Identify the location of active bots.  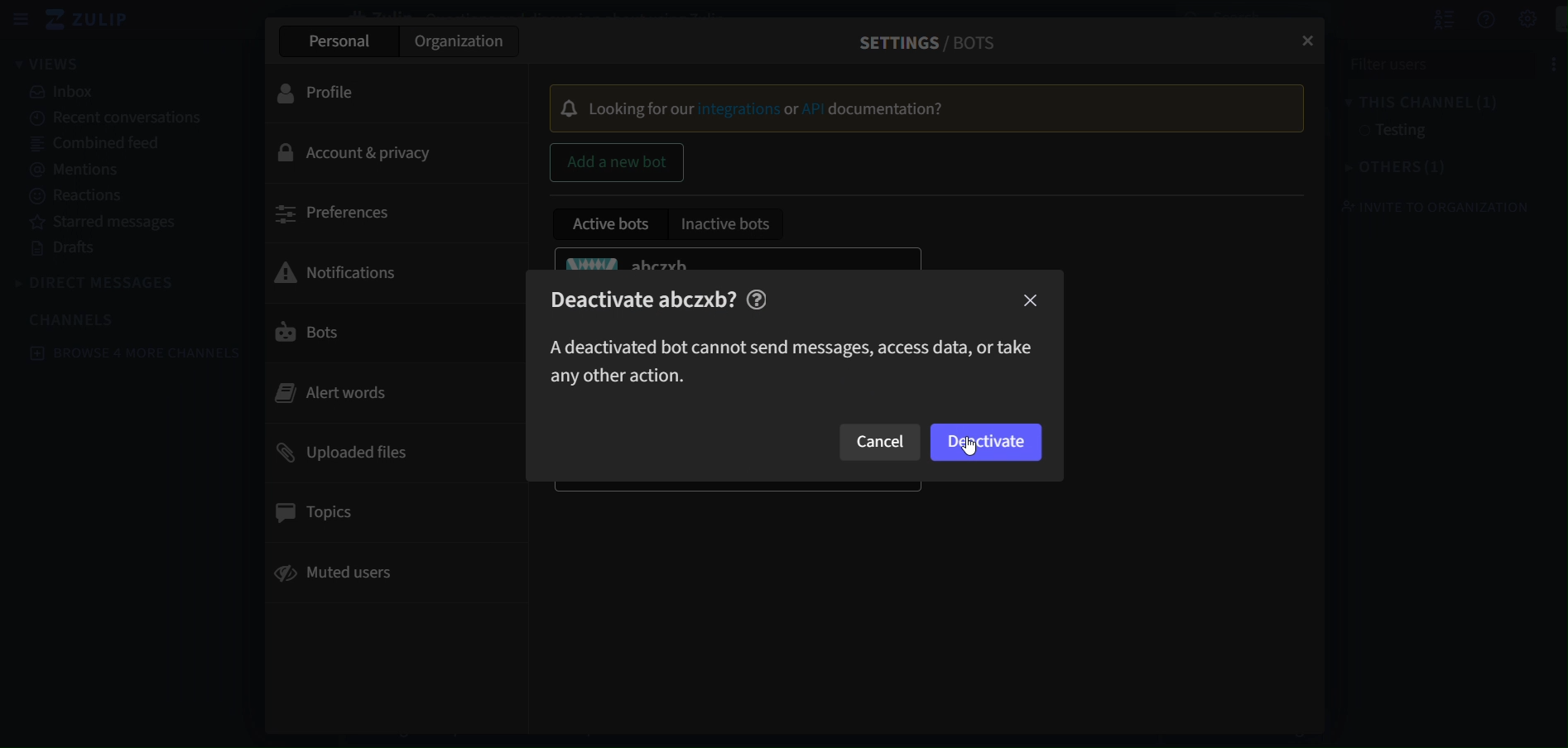
(612, 227).